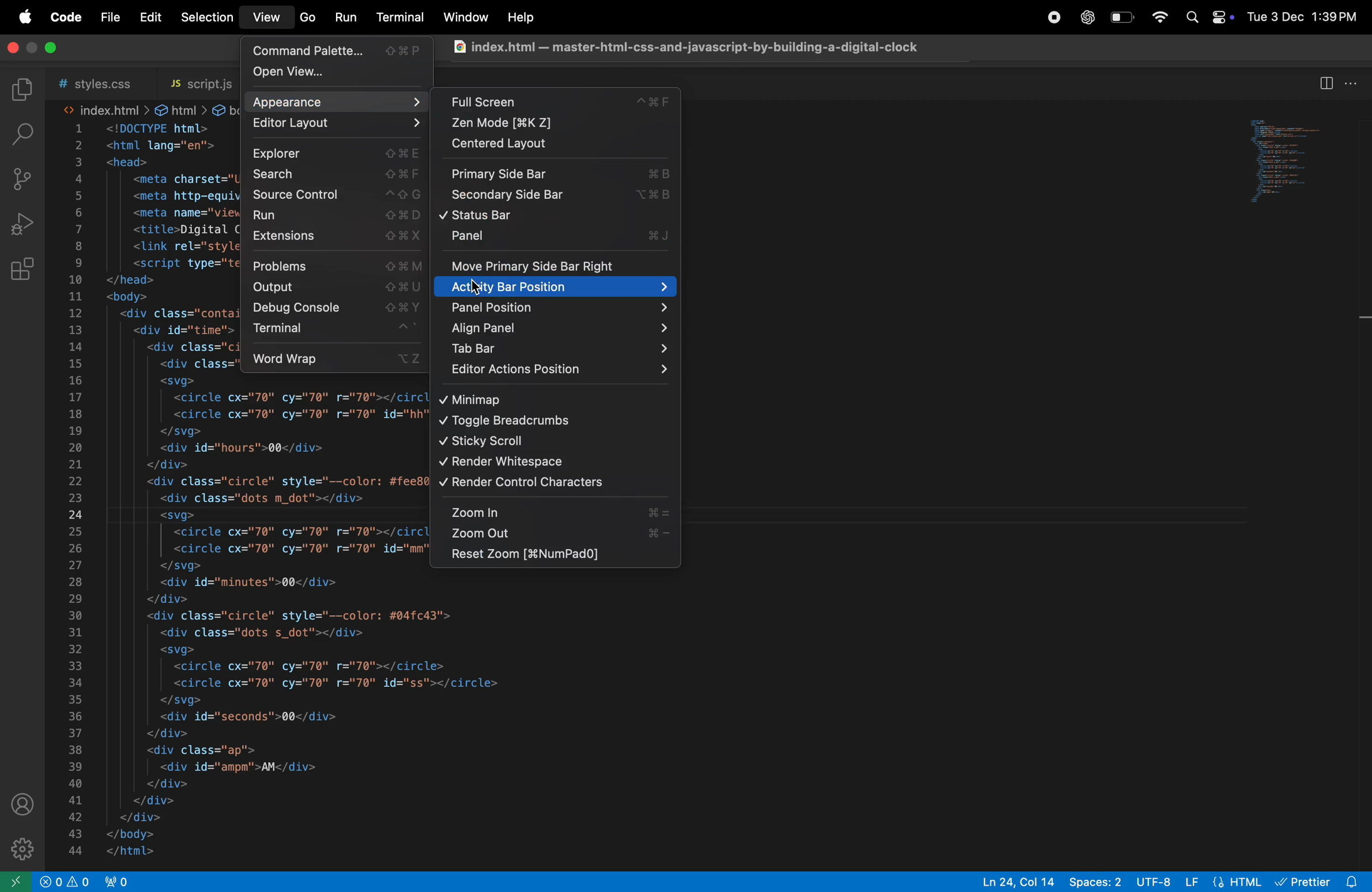 Image resolution: width=1372 pixels, height=892 pixels. What do you see at coordinates (335, 124) in the screenshot?
I see `editor layout` at bounding box center [335, 124].